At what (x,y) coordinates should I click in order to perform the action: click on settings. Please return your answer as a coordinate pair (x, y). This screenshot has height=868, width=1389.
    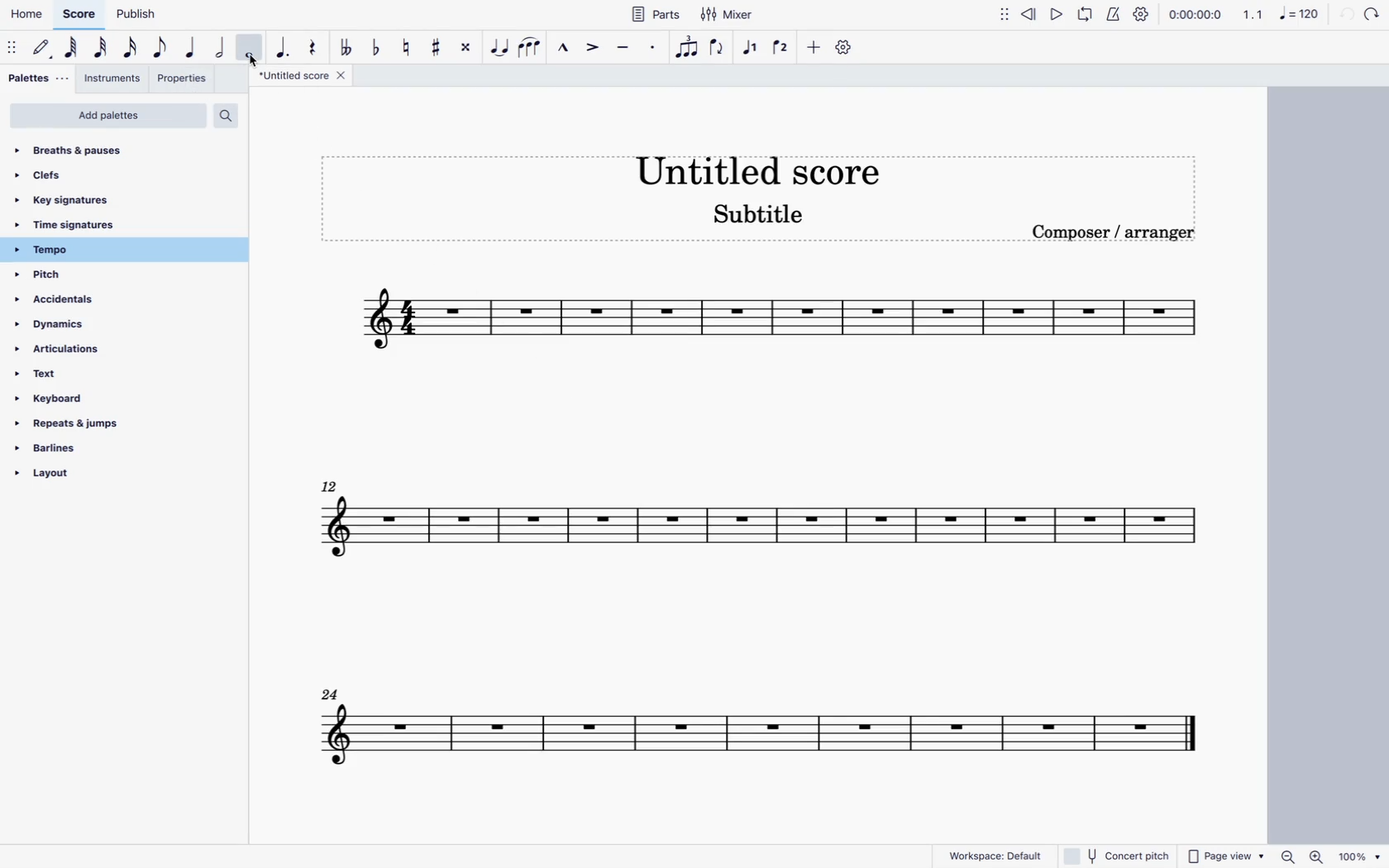
    Looking at the image, I should click on (842, 48).